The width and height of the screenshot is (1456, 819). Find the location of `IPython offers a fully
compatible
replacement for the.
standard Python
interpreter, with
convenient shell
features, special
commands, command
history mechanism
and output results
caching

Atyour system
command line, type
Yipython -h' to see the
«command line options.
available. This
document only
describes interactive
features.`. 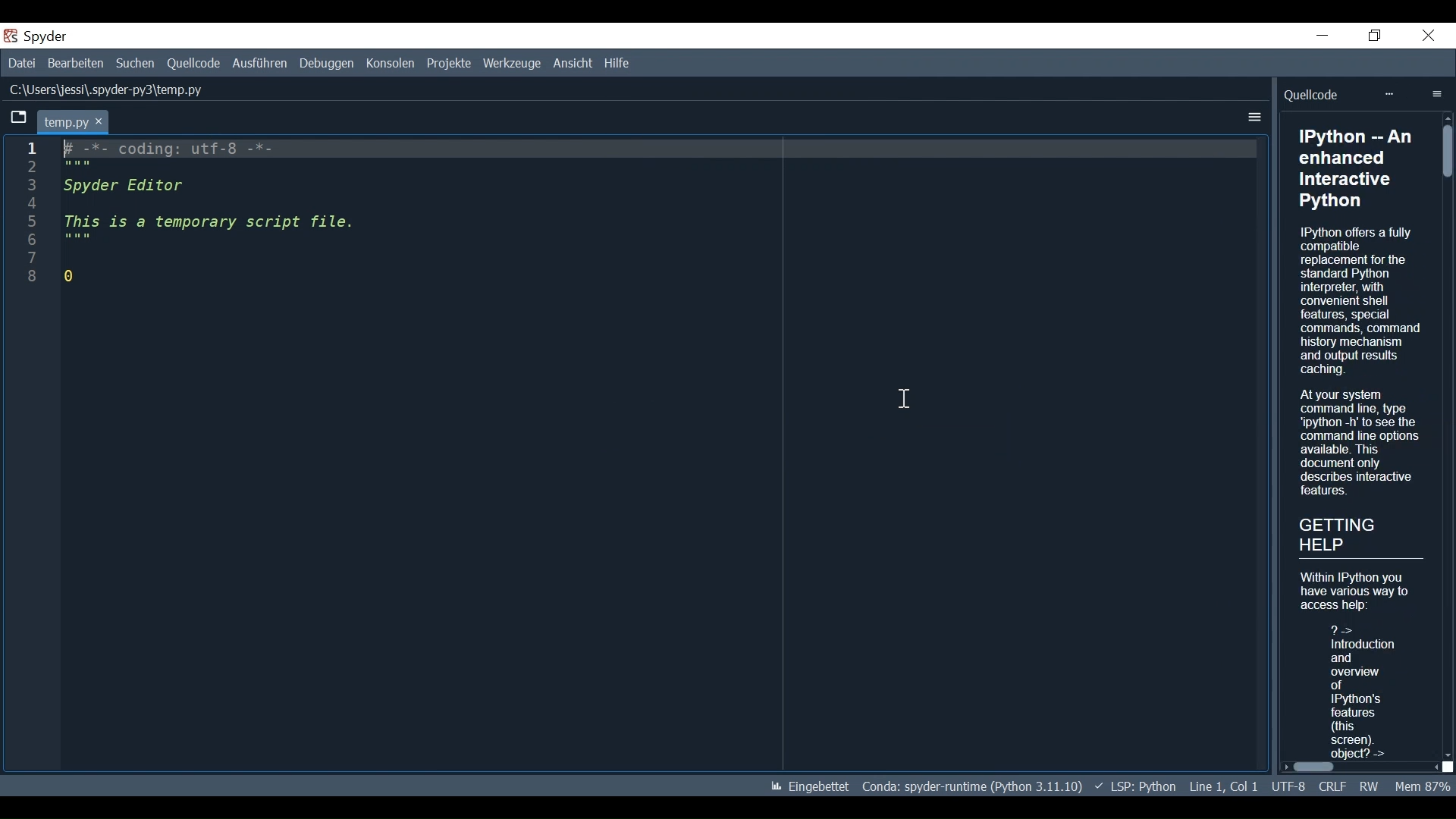

IPython offers a fully
compatible
replacement for the.
standard Python
interpreter, with
convenient shell
features, special
commands, command
history mechanism
and output results
caching

Atyour system
command line, type
Yipython -h' to see the
«command line options.
available. This
document only
describes interactive
features. is located at coordinates (1360, 362).